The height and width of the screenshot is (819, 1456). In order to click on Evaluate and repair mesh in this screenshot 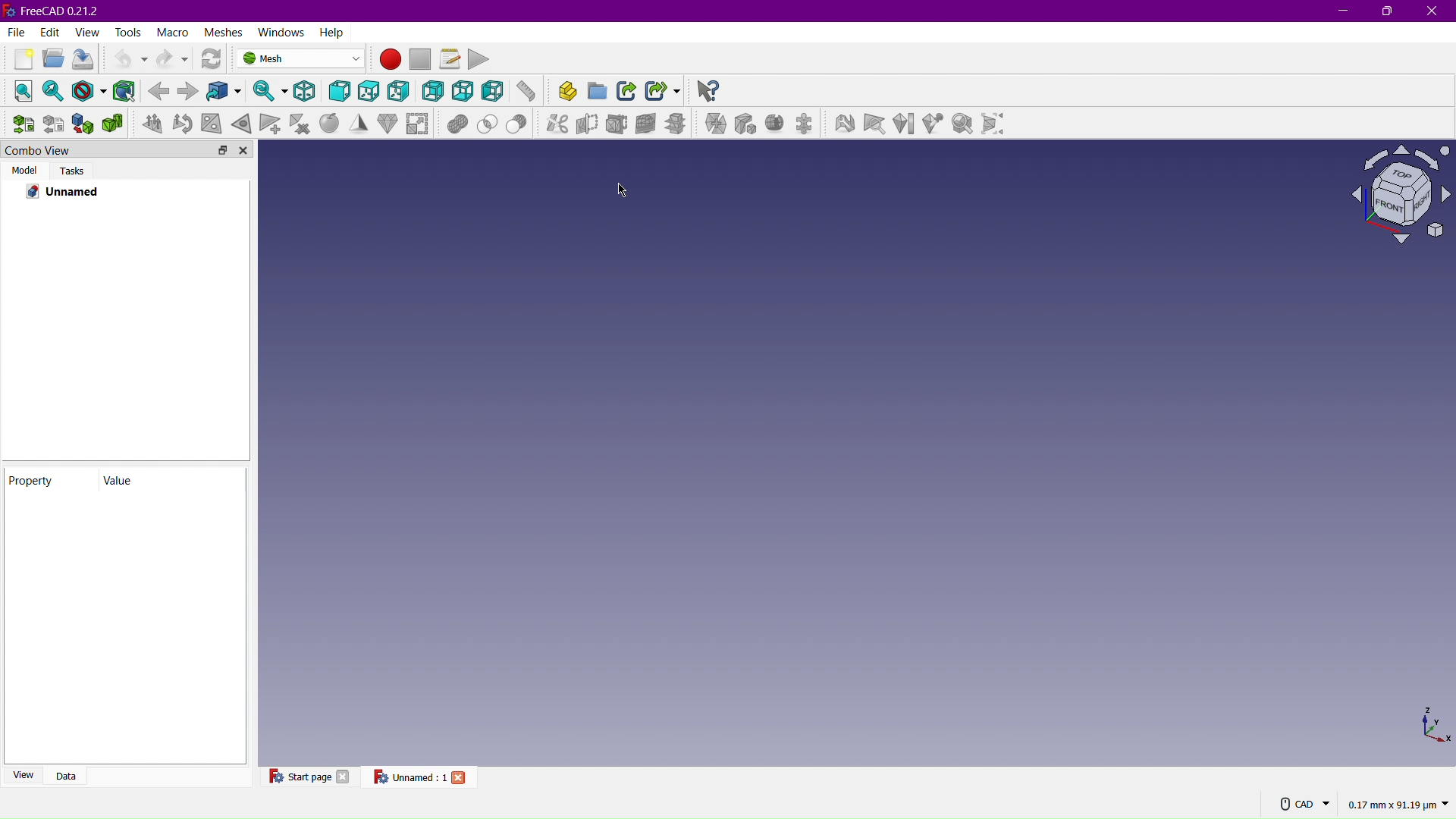, I will do `click(846, 125)`.